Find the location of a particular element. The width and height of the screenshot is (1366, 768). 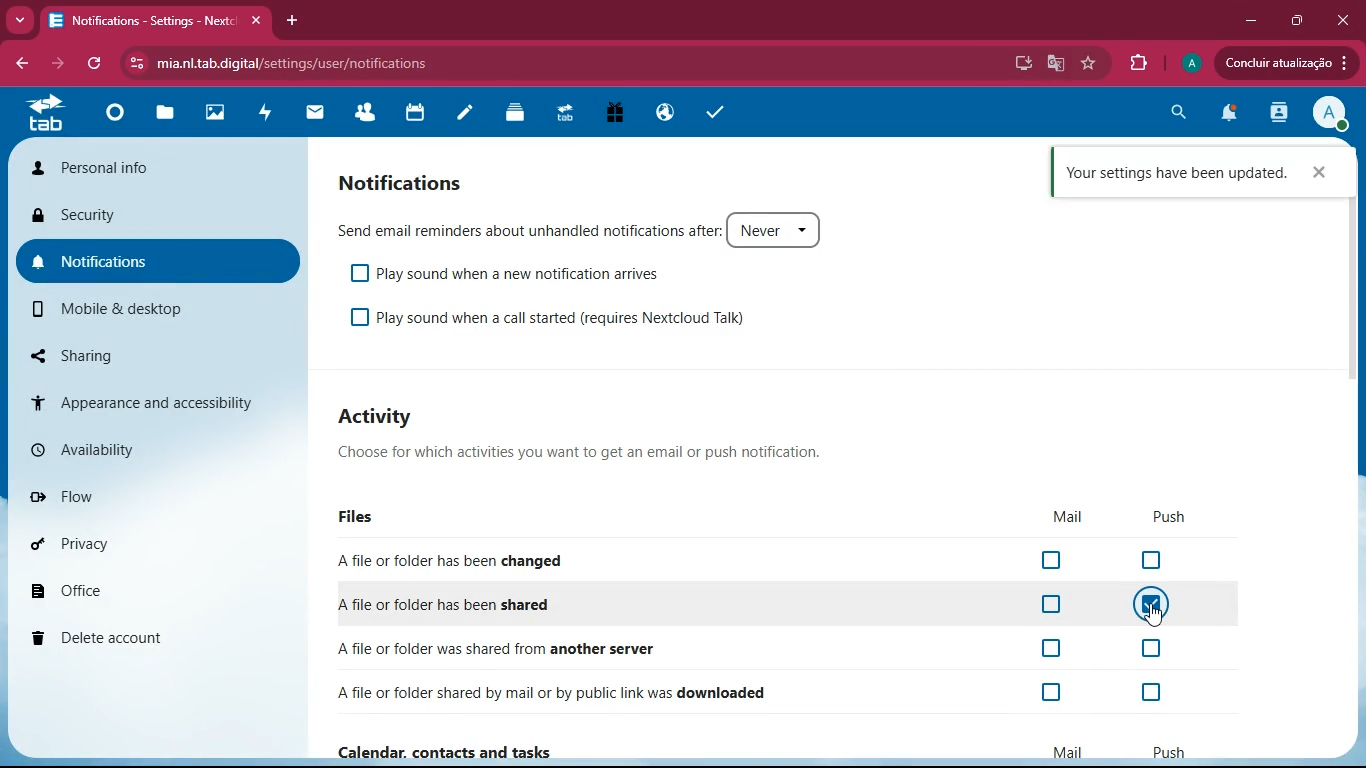

never is located at coordinates (776, 229).